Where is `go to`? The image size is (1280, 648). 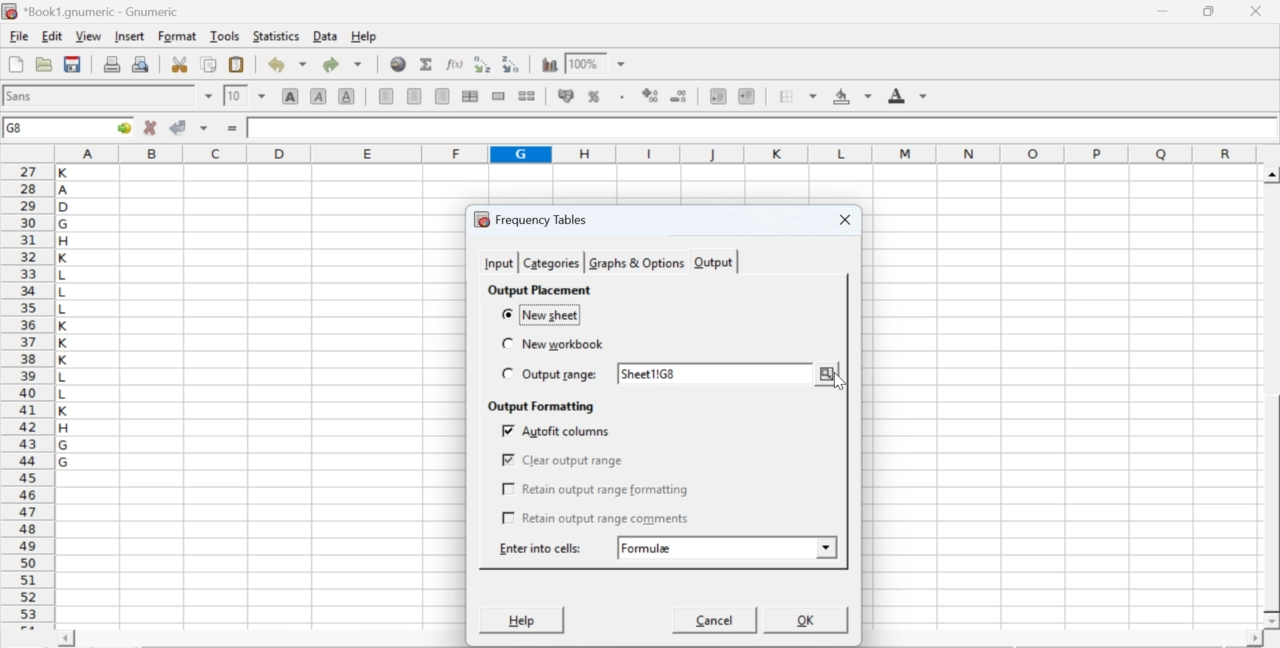 go to is located at coordinates (122, 127).